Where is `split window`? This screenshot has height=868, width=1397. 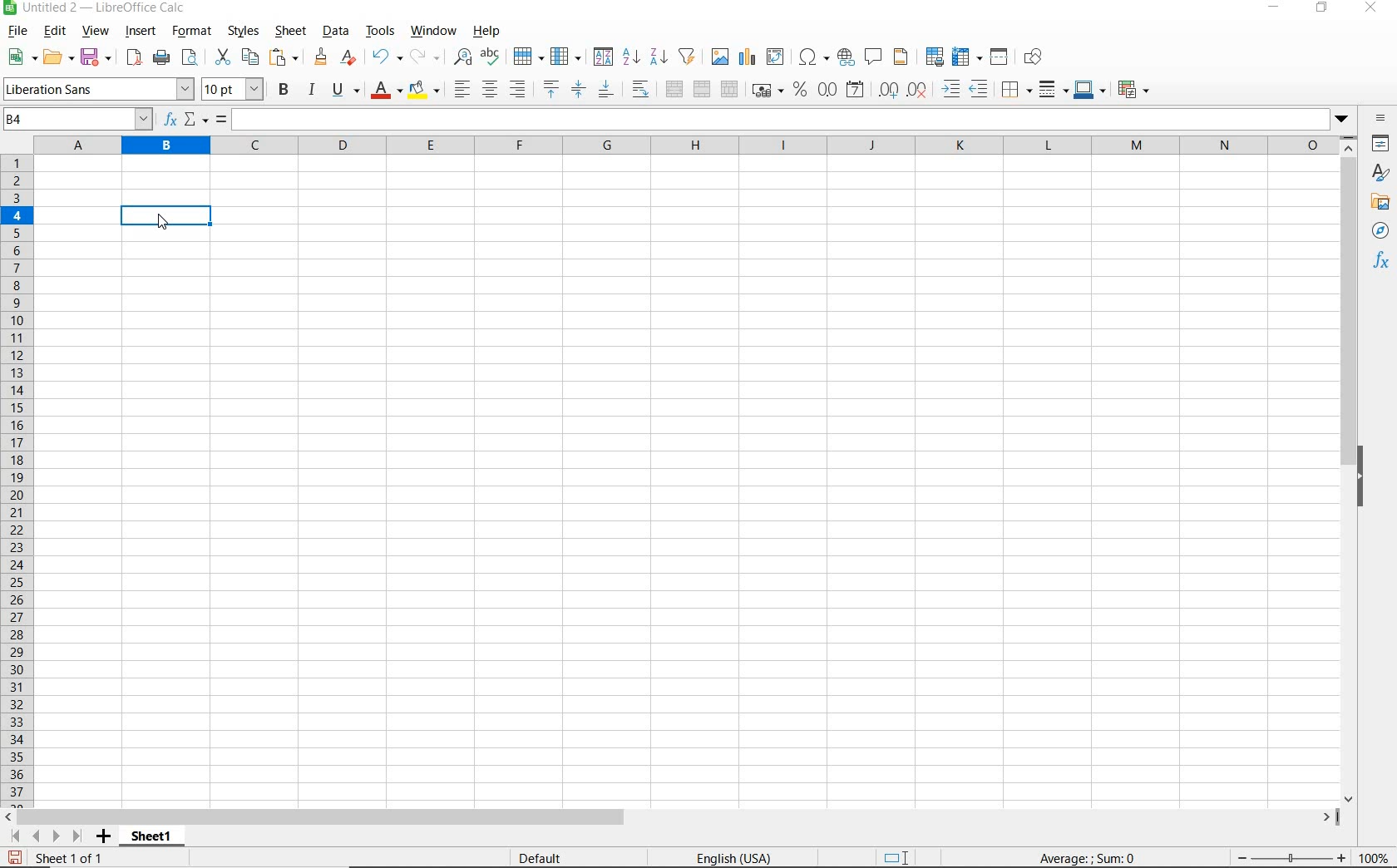 split window is located at coordinates (1000, 57).